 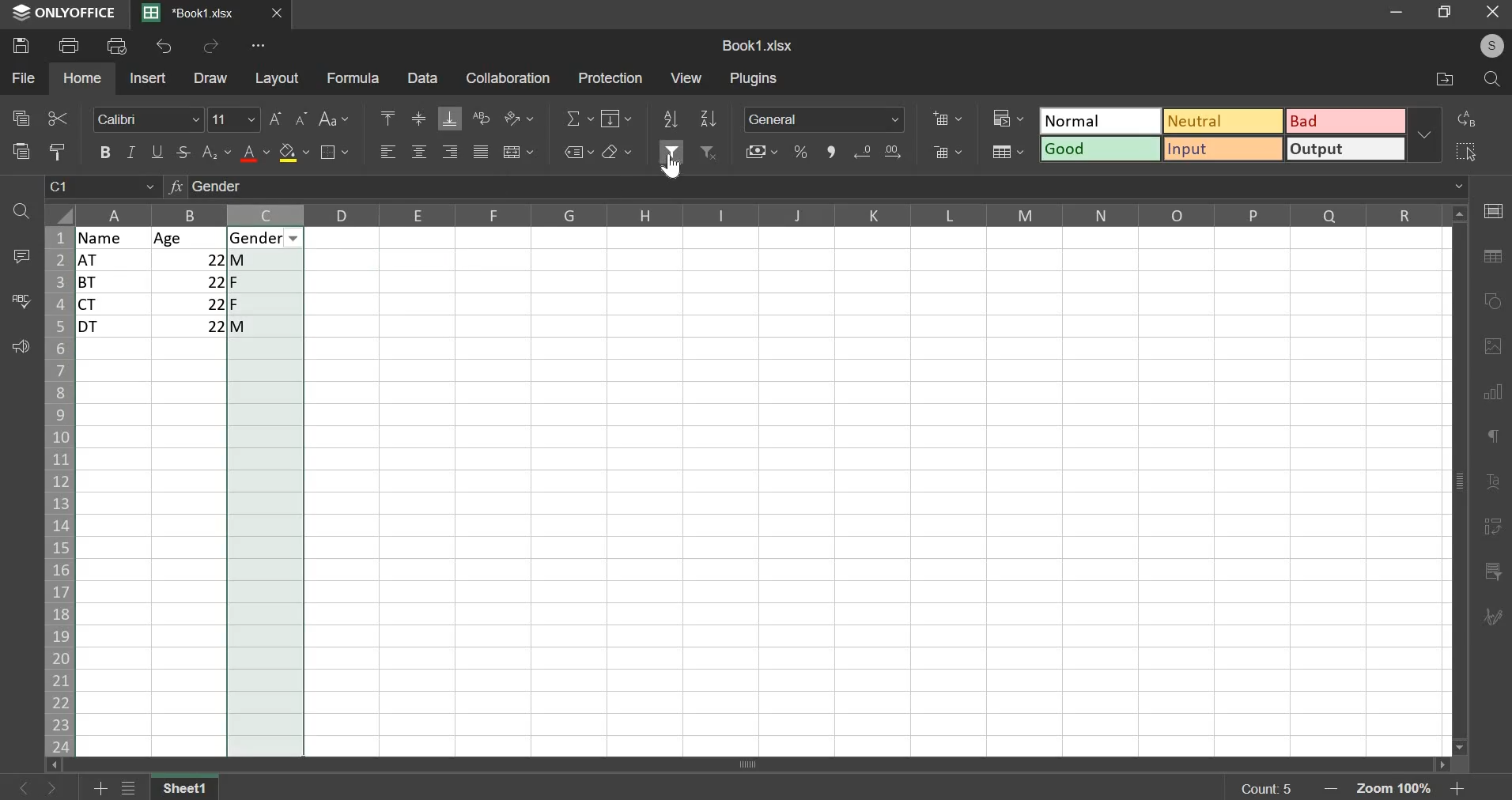 What do you see at coordinates (865, 152) in the screenshot?
I see `decrease decimal` at bounding box center [865, 152].